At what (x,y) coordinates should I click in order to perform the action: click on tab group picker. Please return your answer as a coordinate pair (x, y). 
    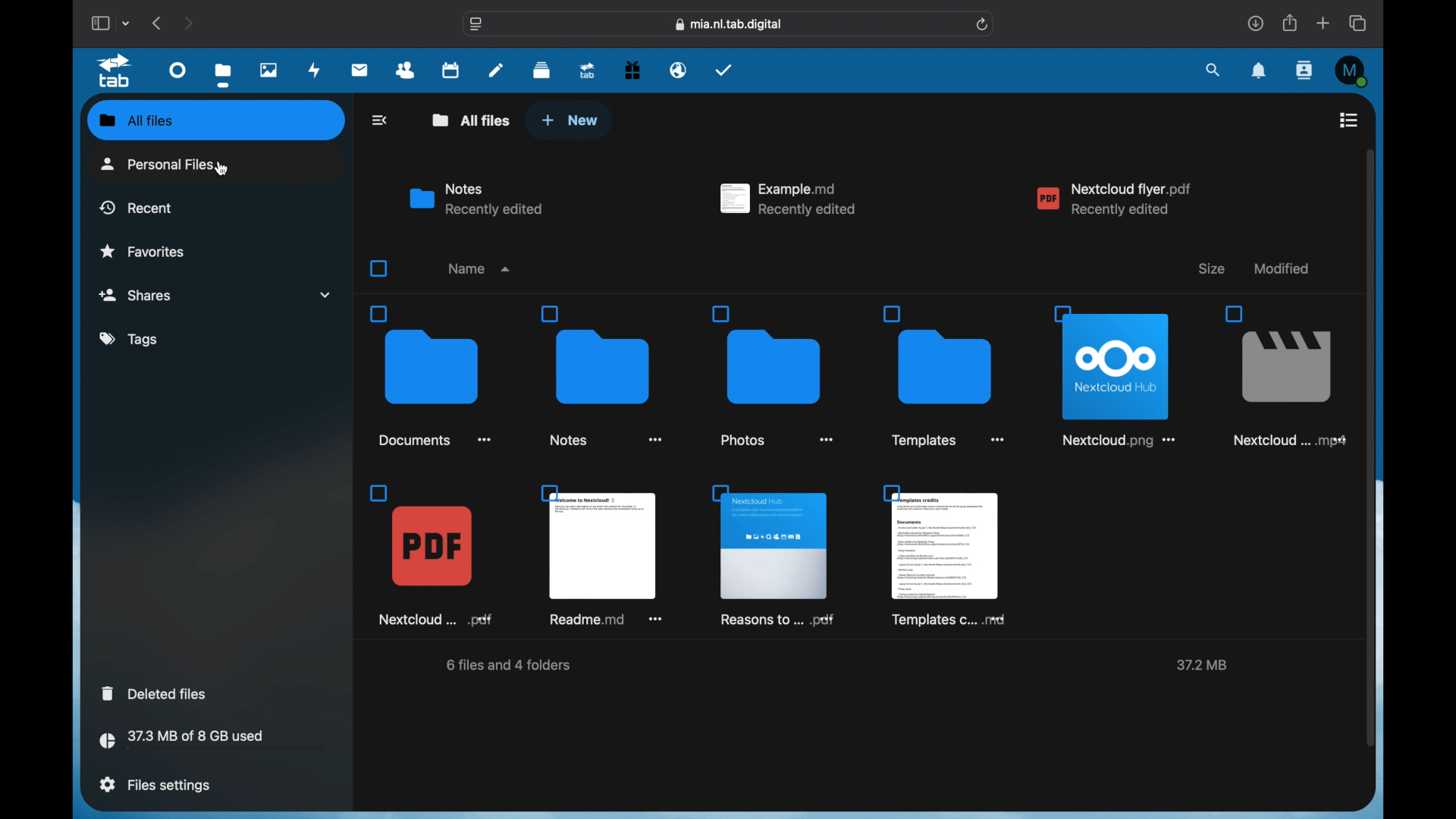
    Looking at the image, I should click on (127, 23).